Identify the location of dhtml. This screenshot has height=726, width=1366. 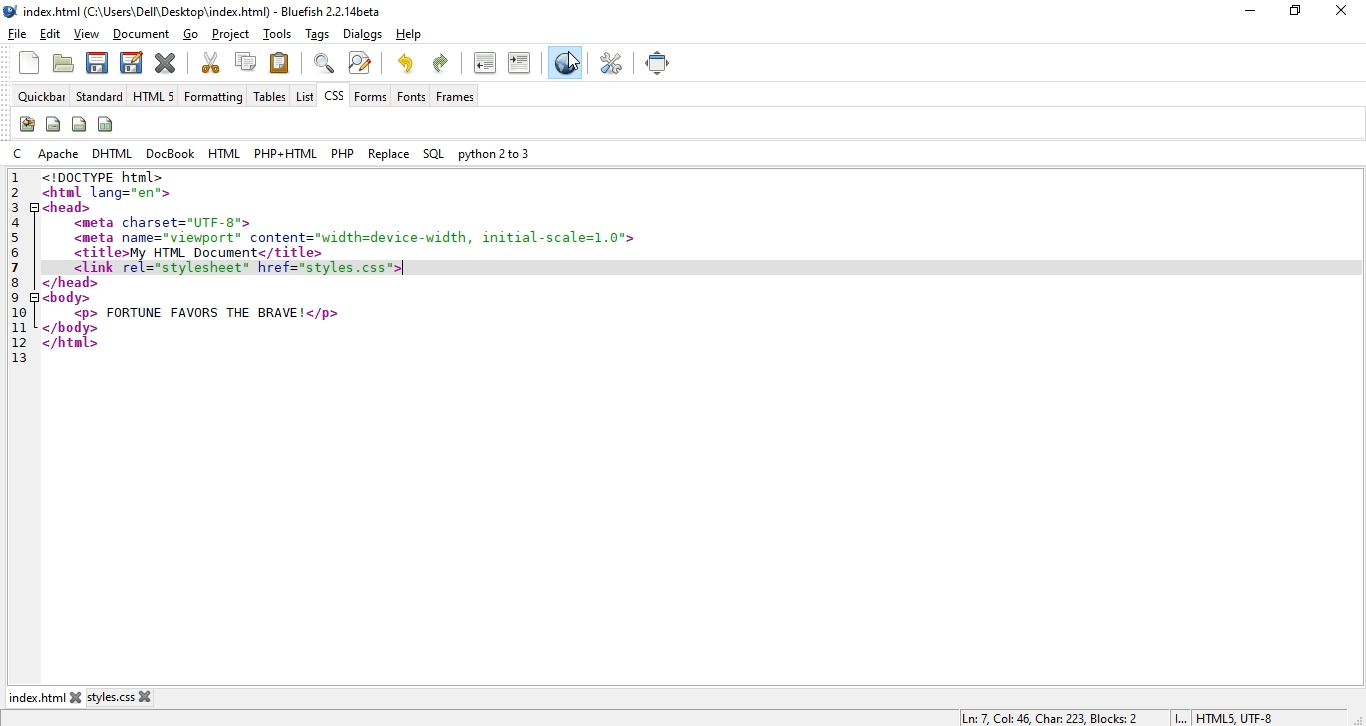
(114, 154).